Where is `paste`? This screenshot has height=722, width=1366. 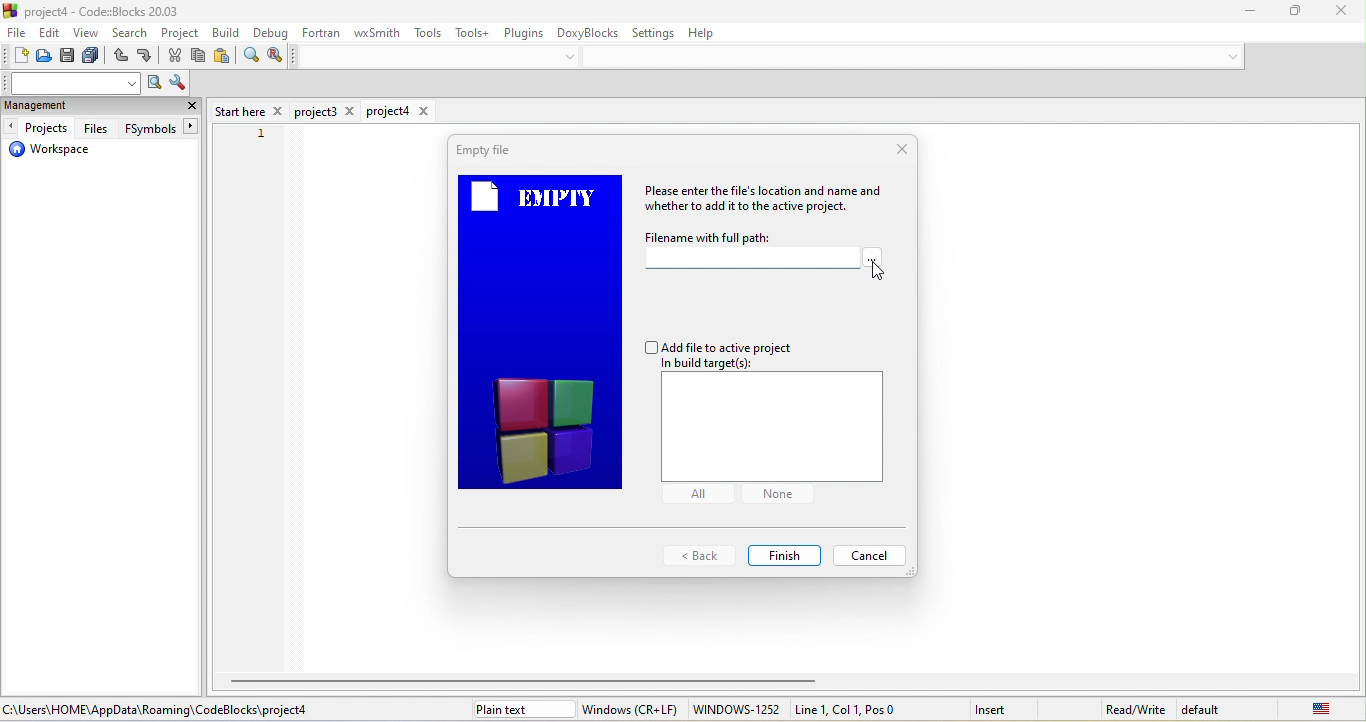 paste is located at coordinates (223, 58).